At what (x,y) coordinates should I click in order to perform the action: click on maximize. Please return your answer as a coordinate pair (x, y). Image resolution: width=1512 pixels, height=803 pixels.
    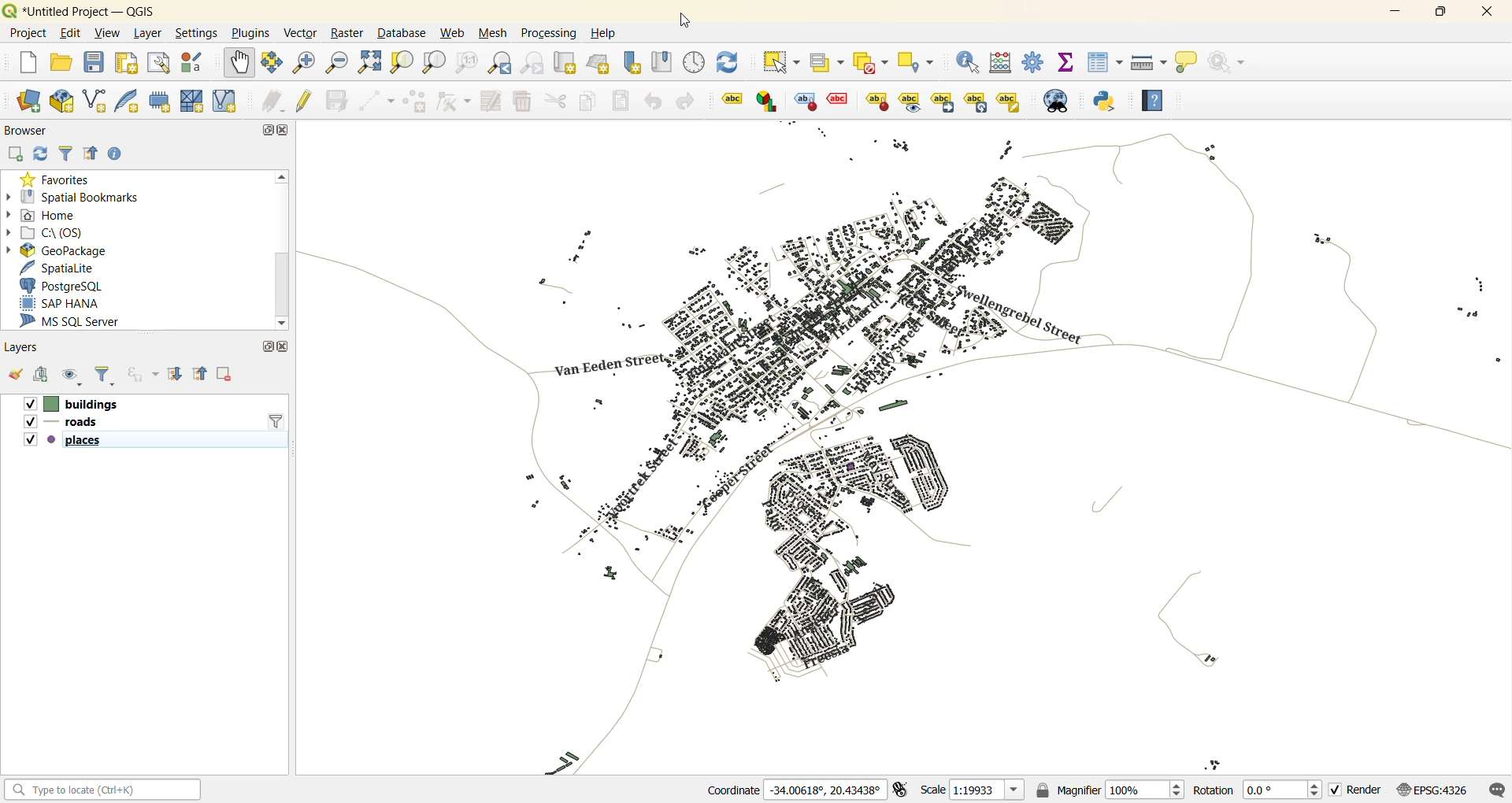
    Looking at the image, I should click on (263, 131).